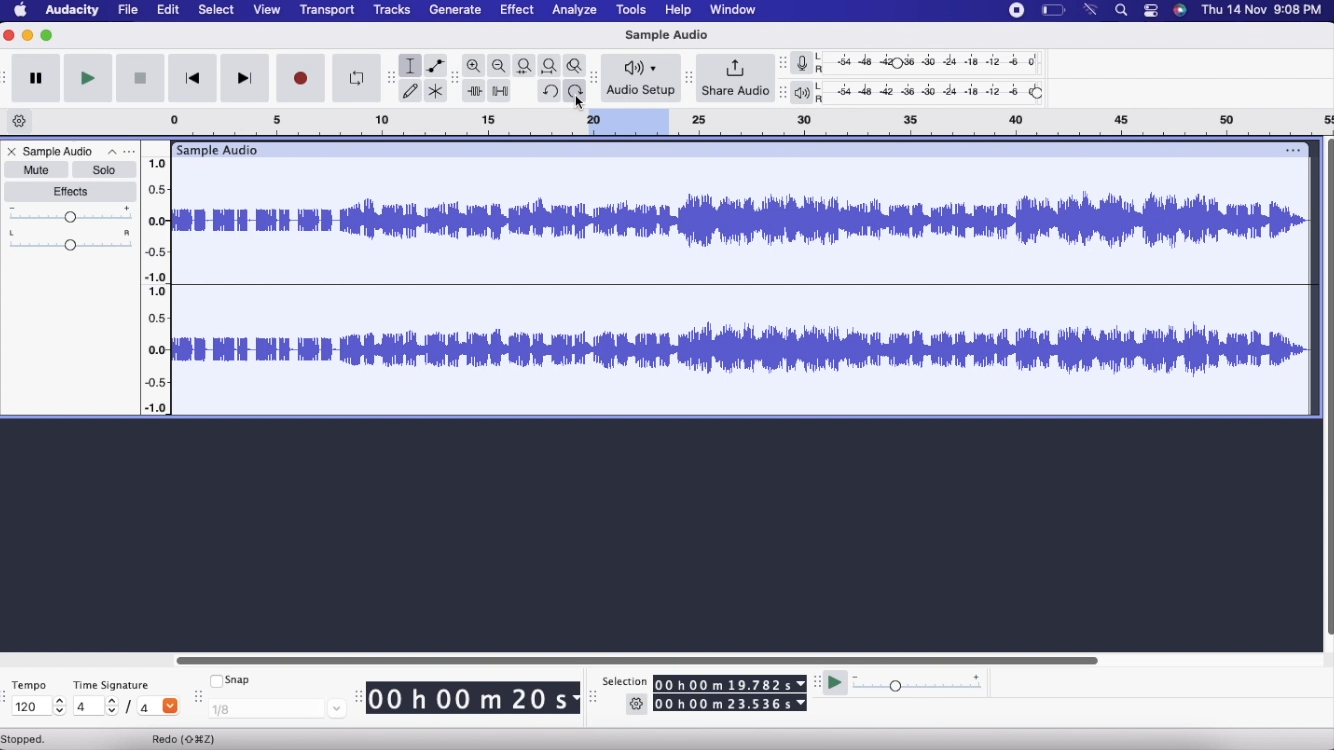 This screenshot has width=1334, height=750. Describe the element at coordinates (736, 10) in the screenshot. I see `Window` at that location.